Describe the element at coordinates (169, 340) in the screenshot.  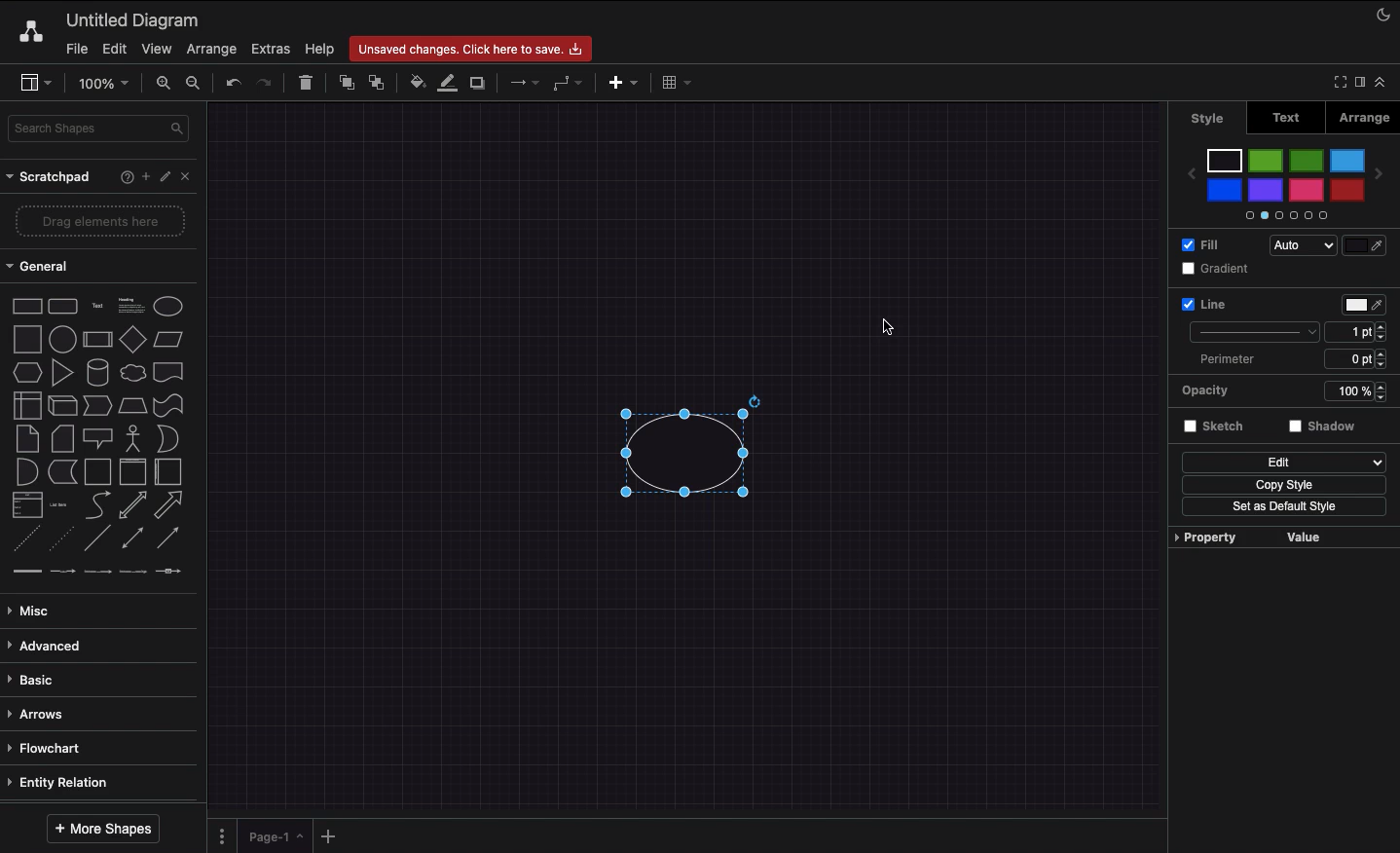
I see `Parallelogram` at that location.